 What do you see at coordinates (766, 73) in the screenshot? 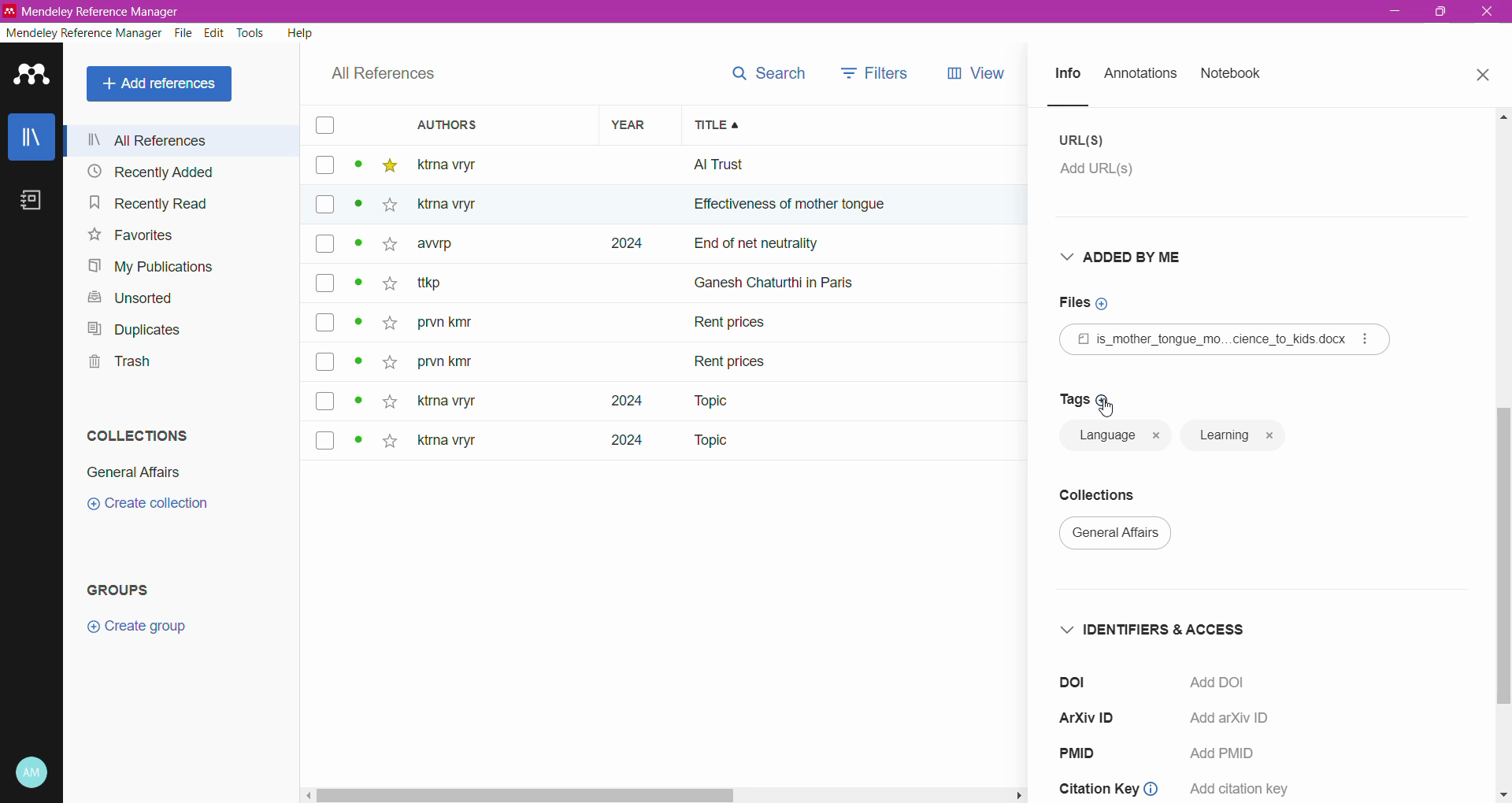
I see `search` at bounding box center [766, 73].